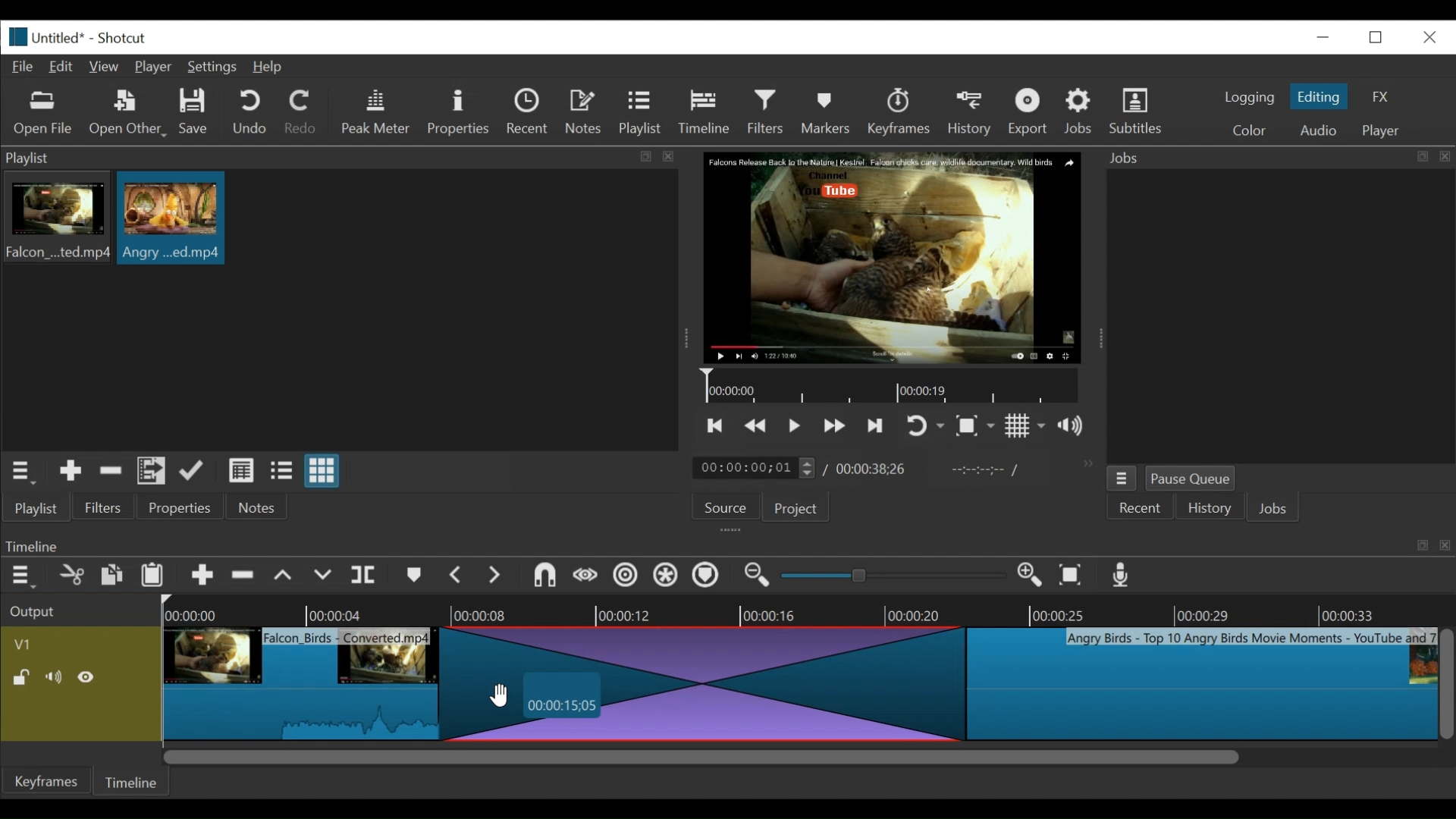 This screenshot has height=819, width=1456. Describe the element at coordinates (1275, 510) in the screenshot. I see `JOBS` at that location.